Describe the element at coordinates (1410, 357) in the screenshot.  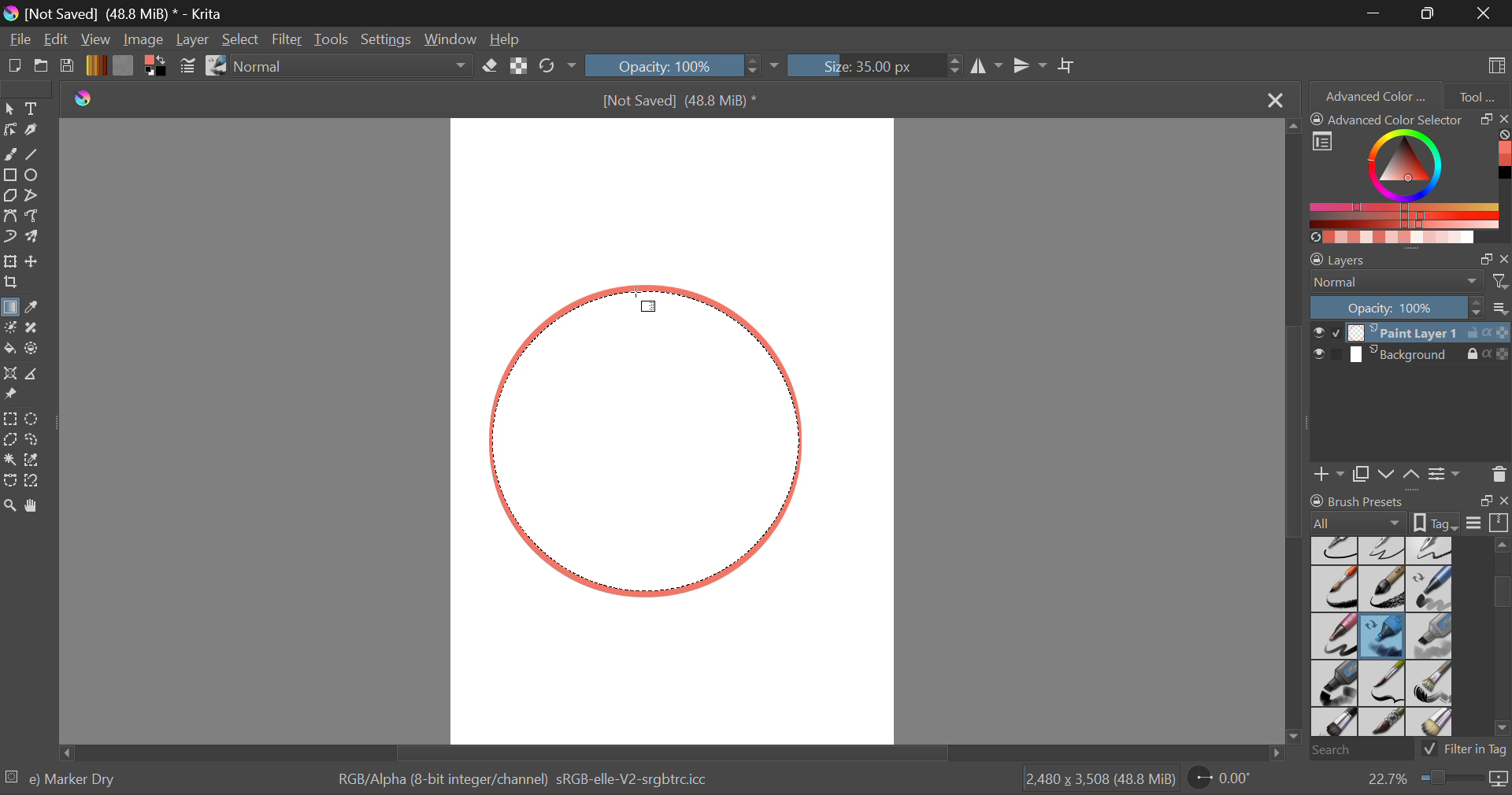
I see `Background Layer` at that location.